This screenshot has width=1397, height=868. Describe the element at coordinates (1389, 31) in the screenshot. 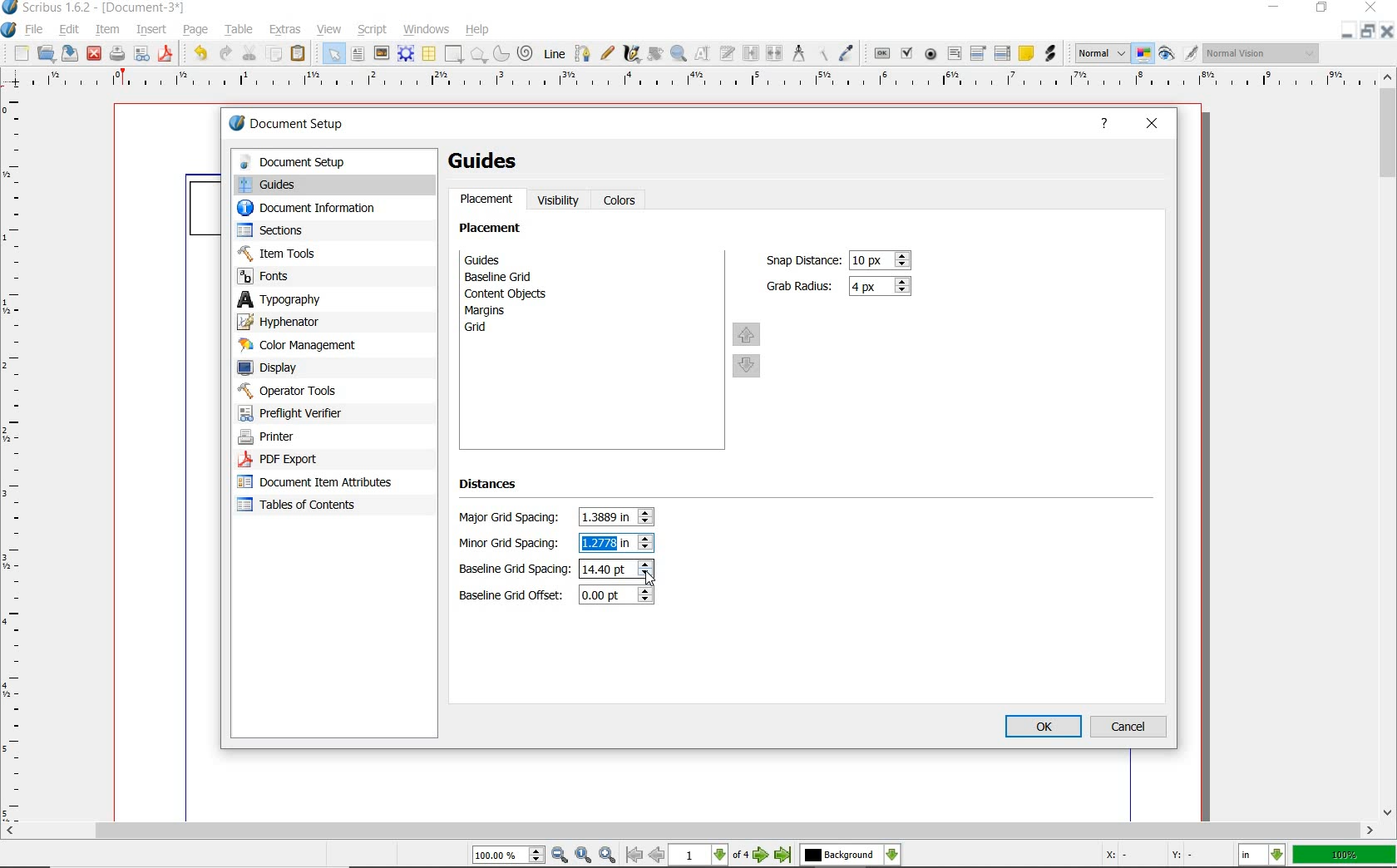

I see `close` at that location.